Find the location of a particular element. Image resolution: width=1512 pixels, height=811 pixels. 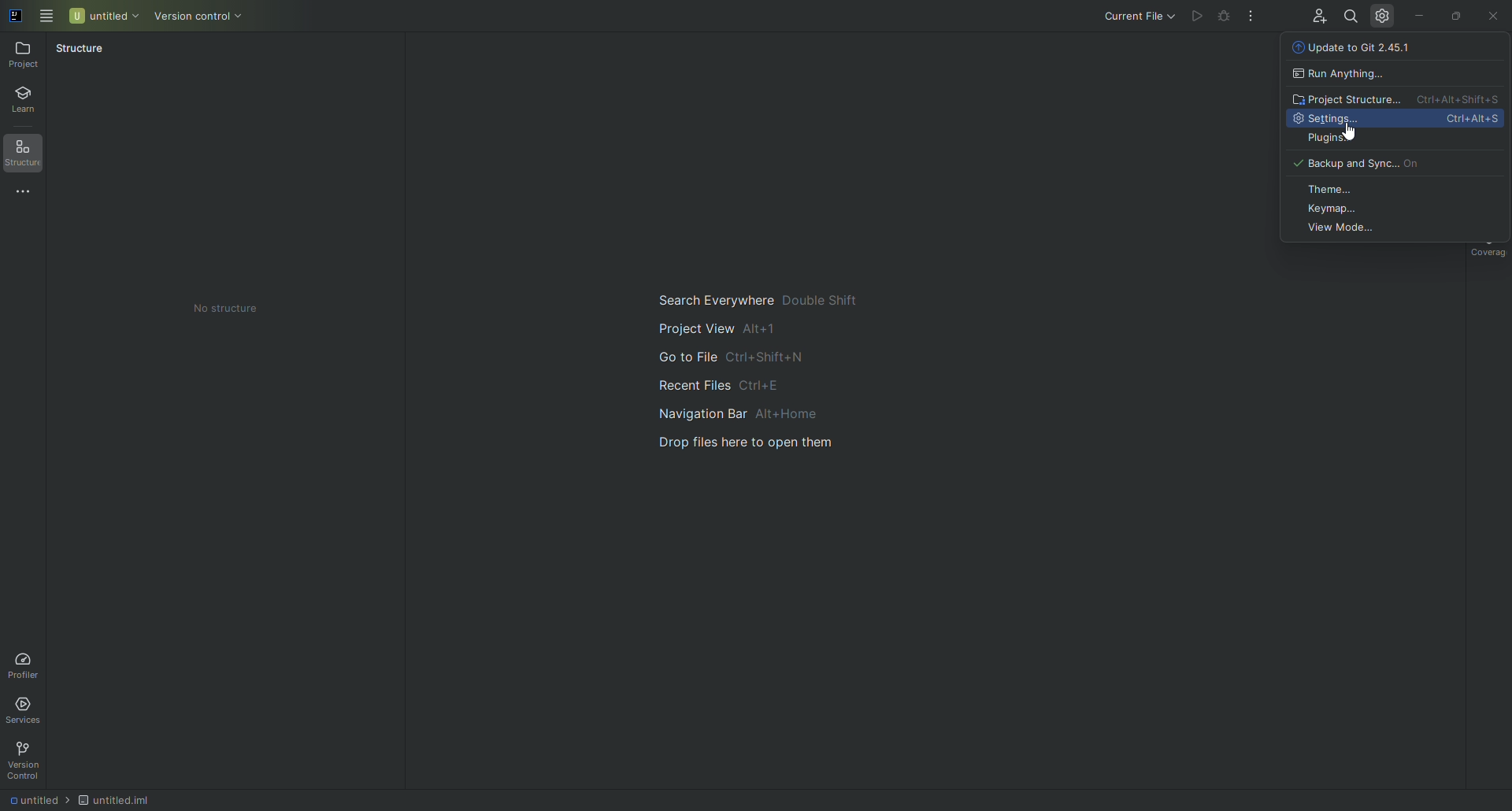

Keymap is located at coordinates (1329, 209).